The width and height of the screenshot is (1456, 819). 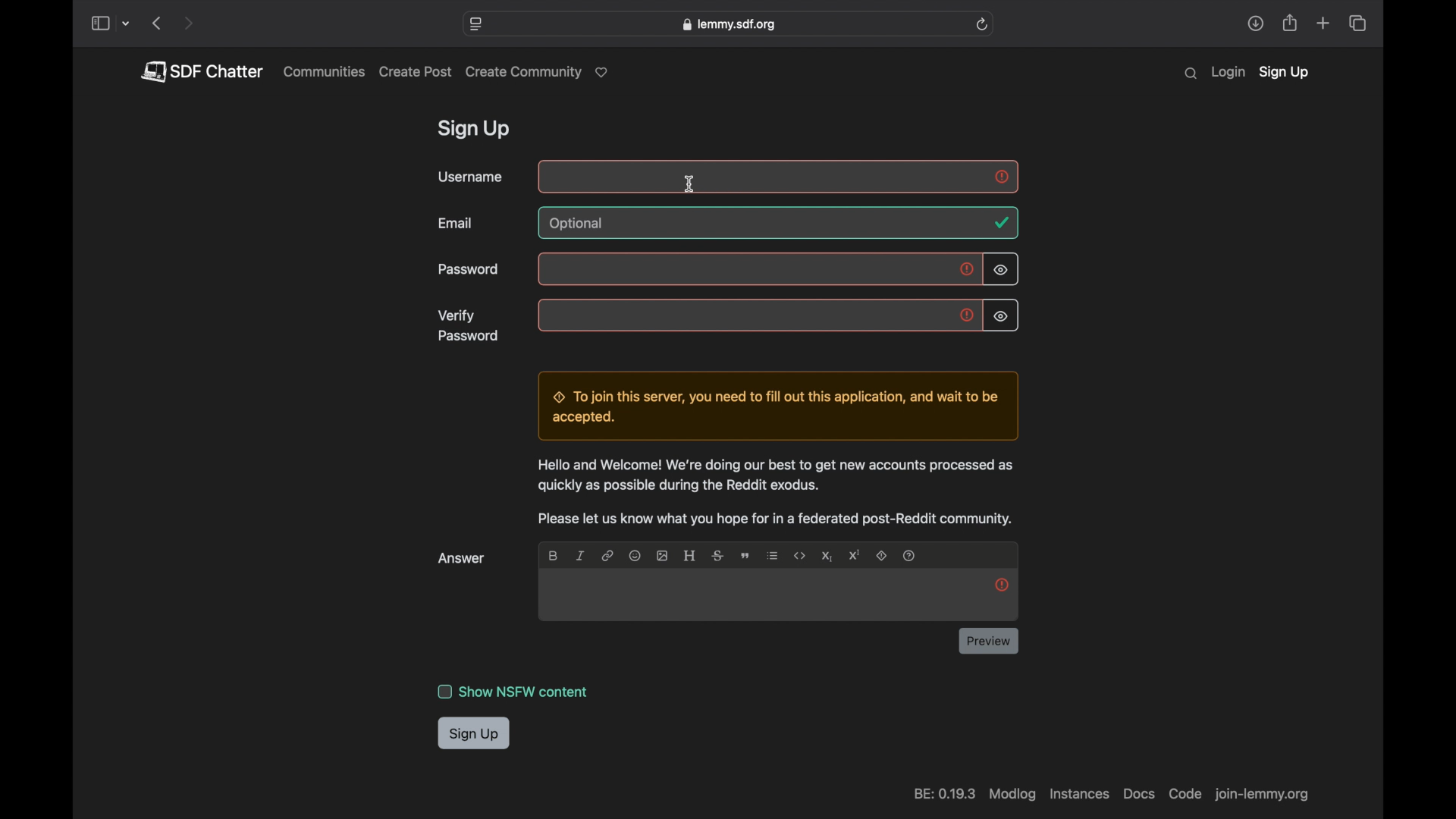 What do you see at coordinates (690, 555) in the screenshot?
I see `header` at bounding box center [690, 555].